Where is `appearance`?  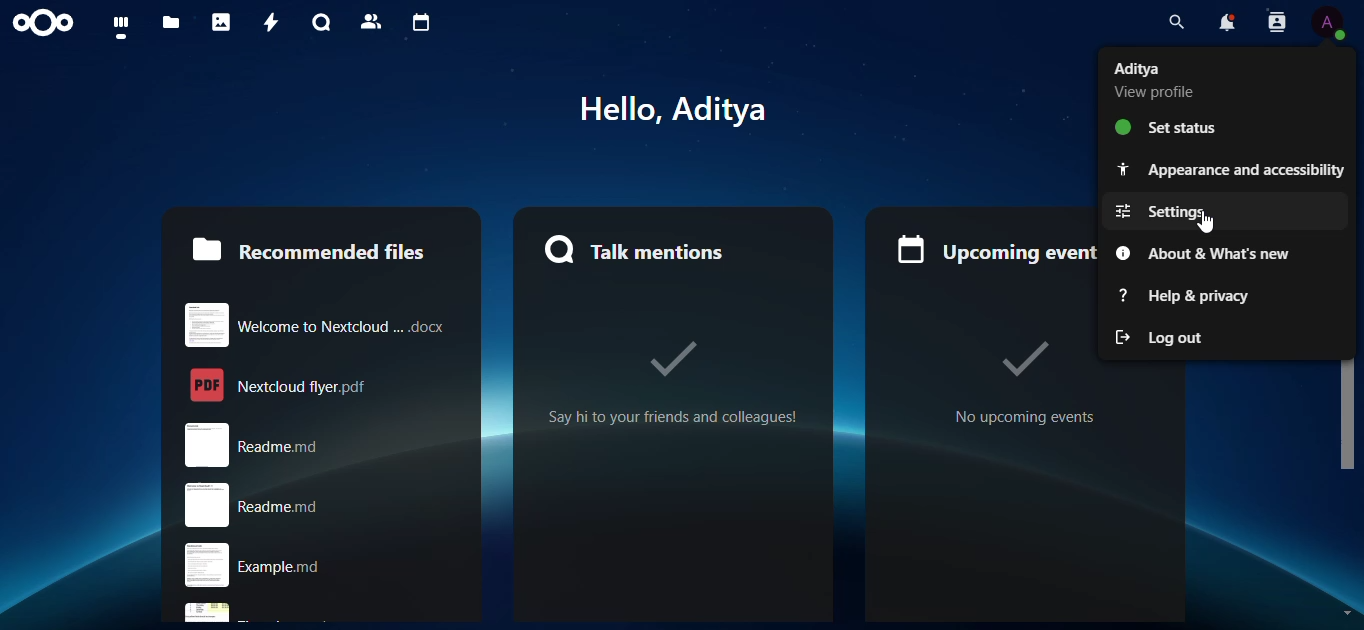 appearance is located at coordinates (1228, 168).